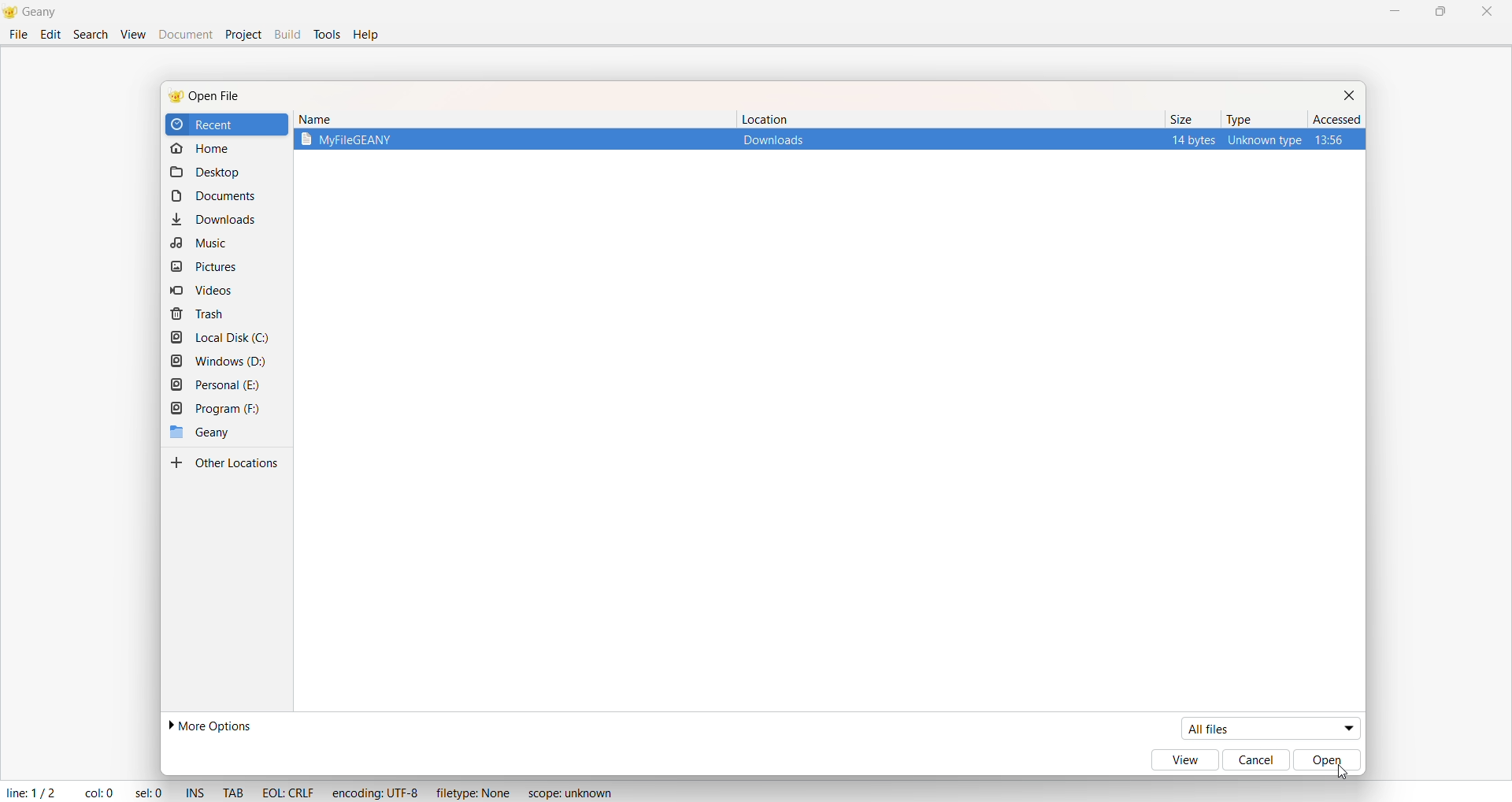 The width and height of the screenshot is (1512, 802). What do you see at coordinates (1342, 774) in the screenshot?
I see `cursor` at bounding box center [1342, 774].